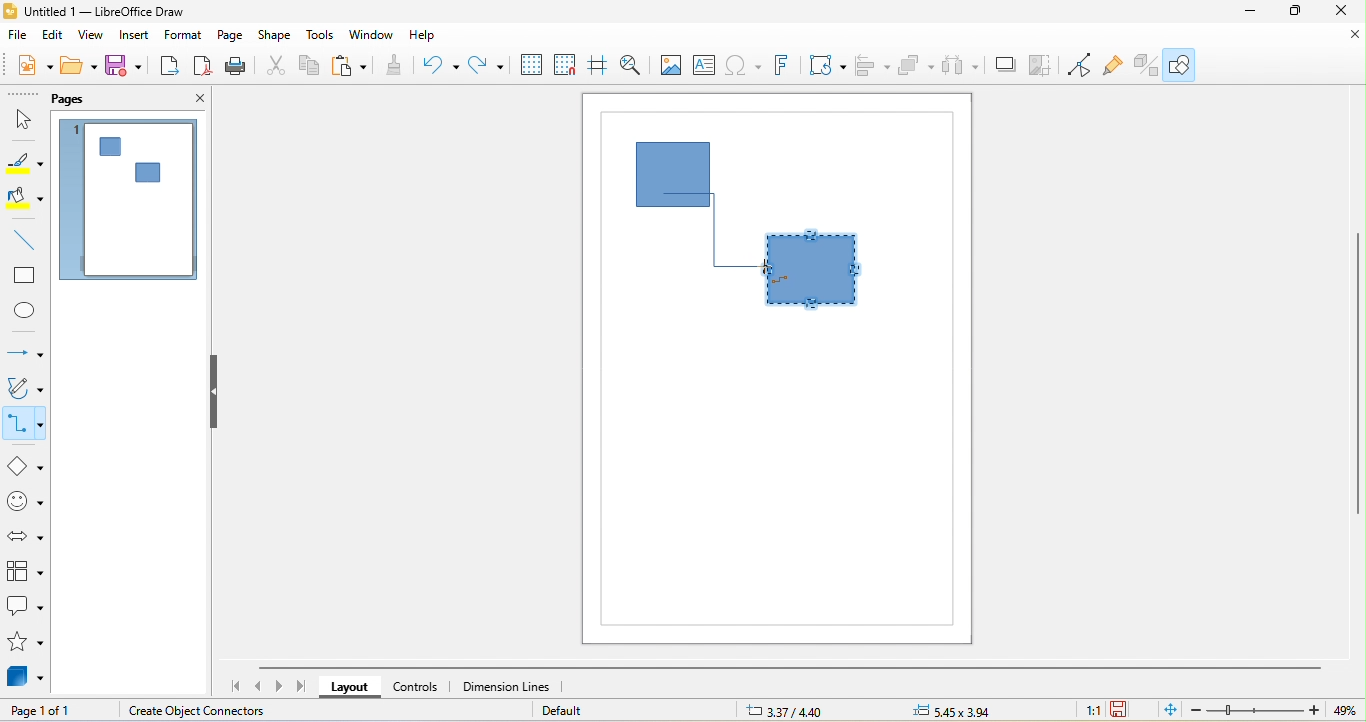 This screenshot has height=722, width=1366. Describe the element at coordinates (79, 67) in the screenshot. I see `open` at that location.